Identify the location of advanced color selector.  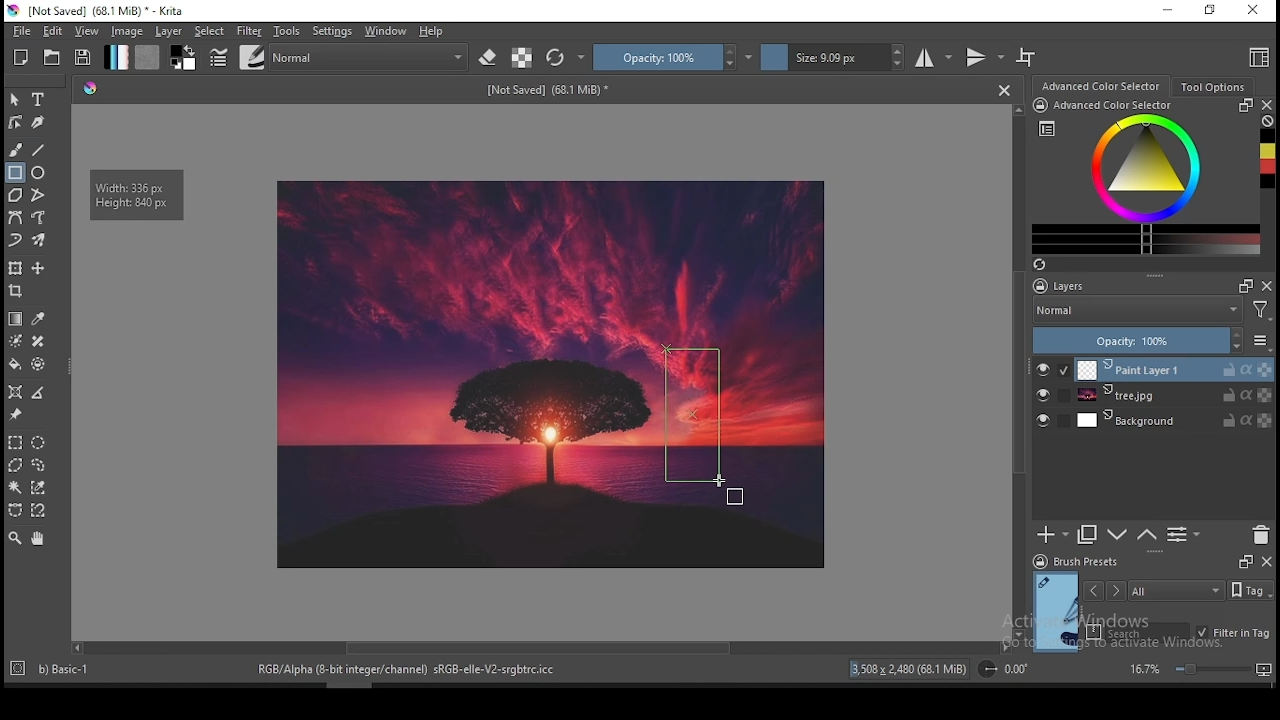
(1146, 177).